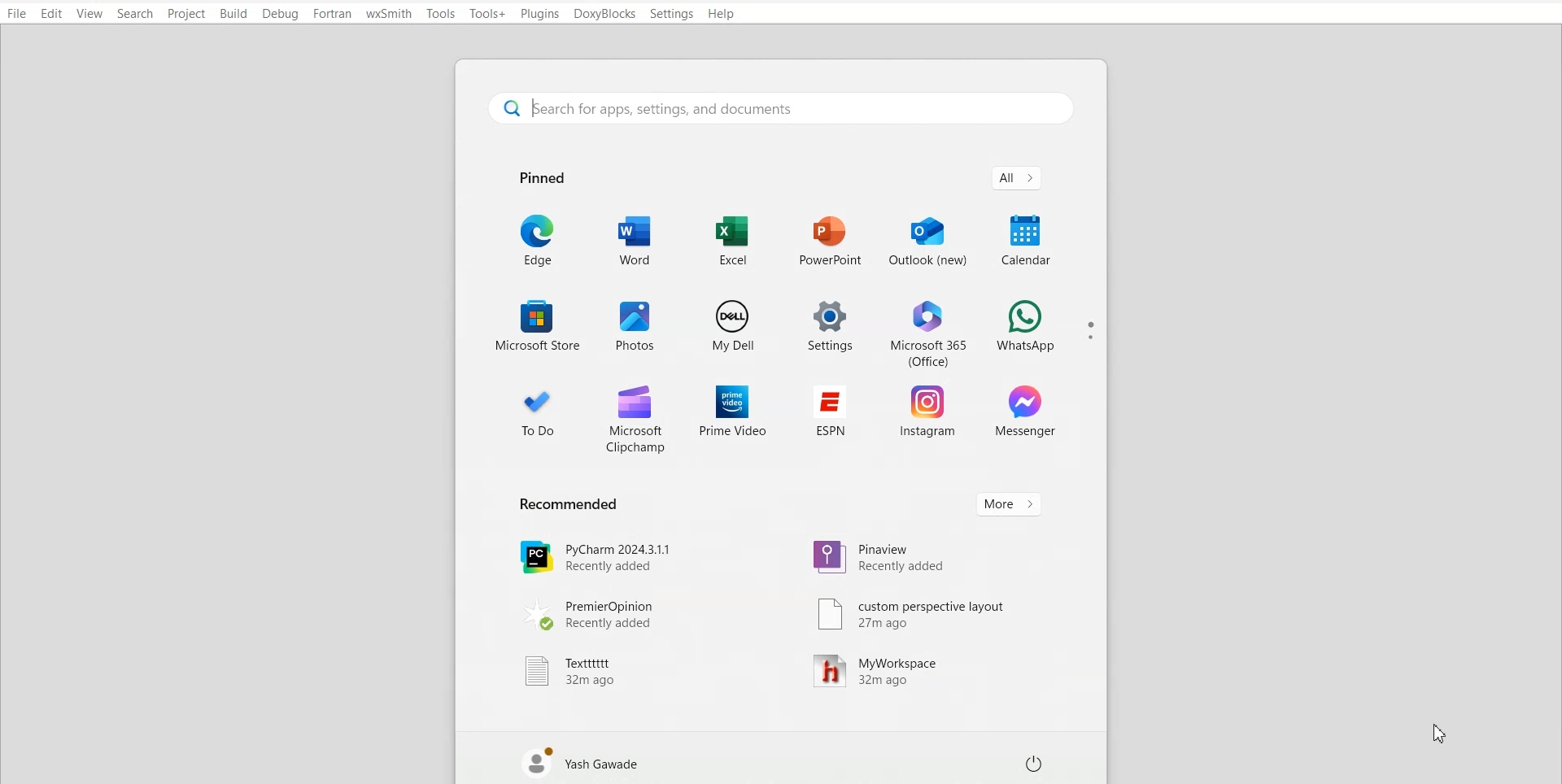  I want to click on Search, so click(135, 14).